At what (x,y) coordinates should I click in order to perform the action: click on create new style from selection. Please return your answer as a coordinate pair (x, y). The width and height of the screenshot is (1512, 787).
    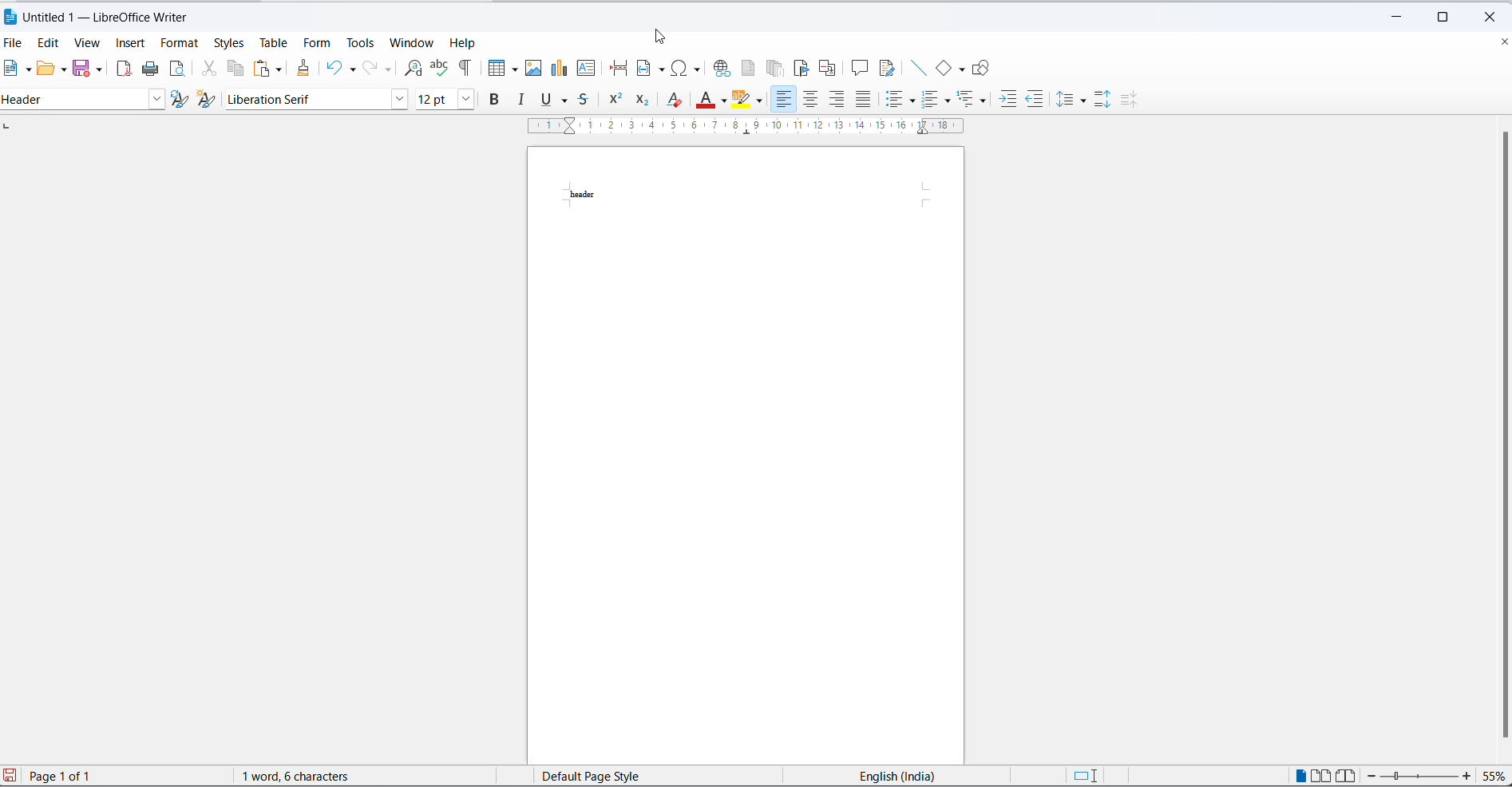
    Looking at the image, I should click on (210, 101).